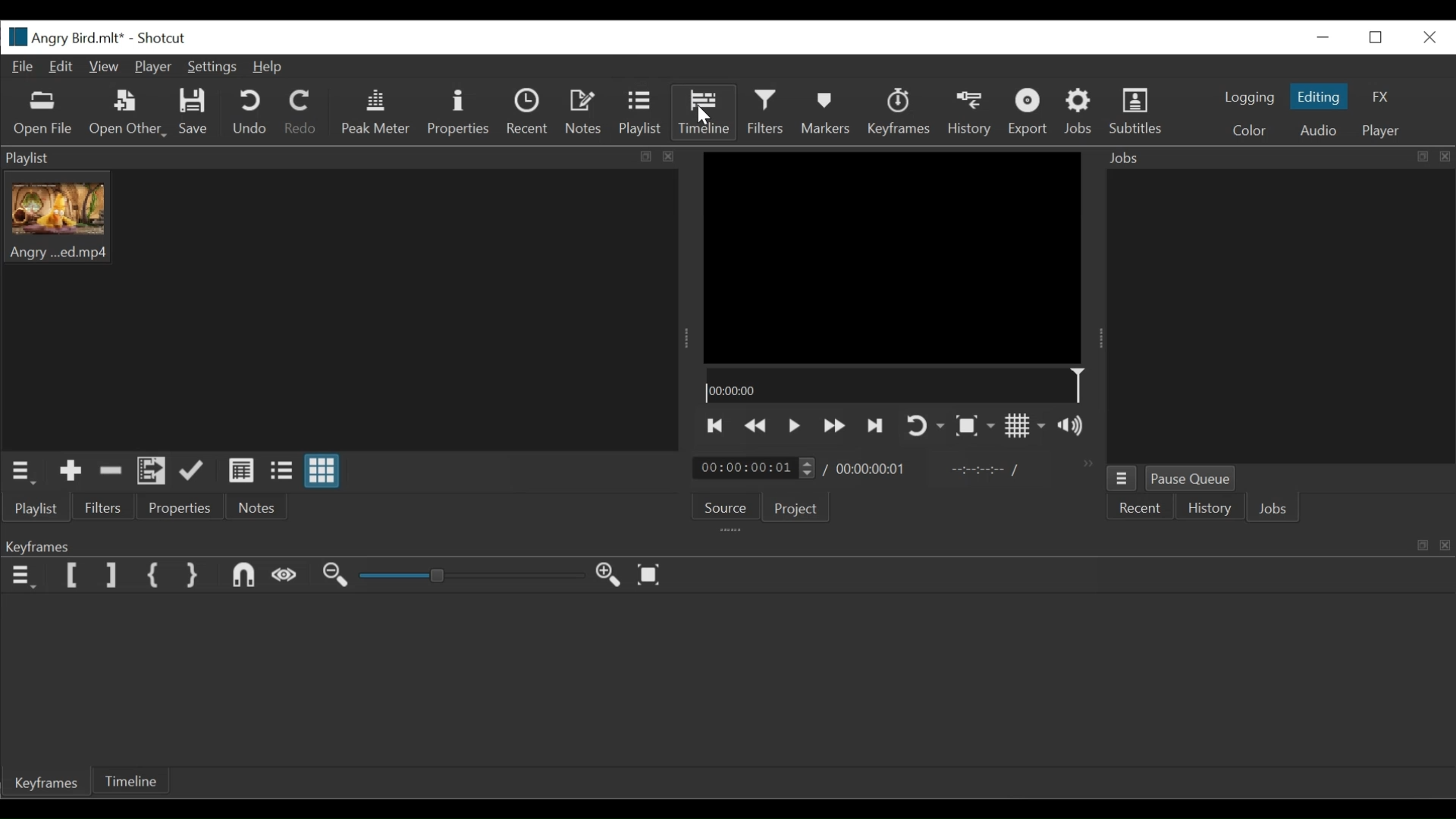 Image resolution: width=1456 pixels, height=819 pixels. What do you see at coordinates (129, 781) in the screenshot?
I see `Timeline` at bounding box center [129, 781].